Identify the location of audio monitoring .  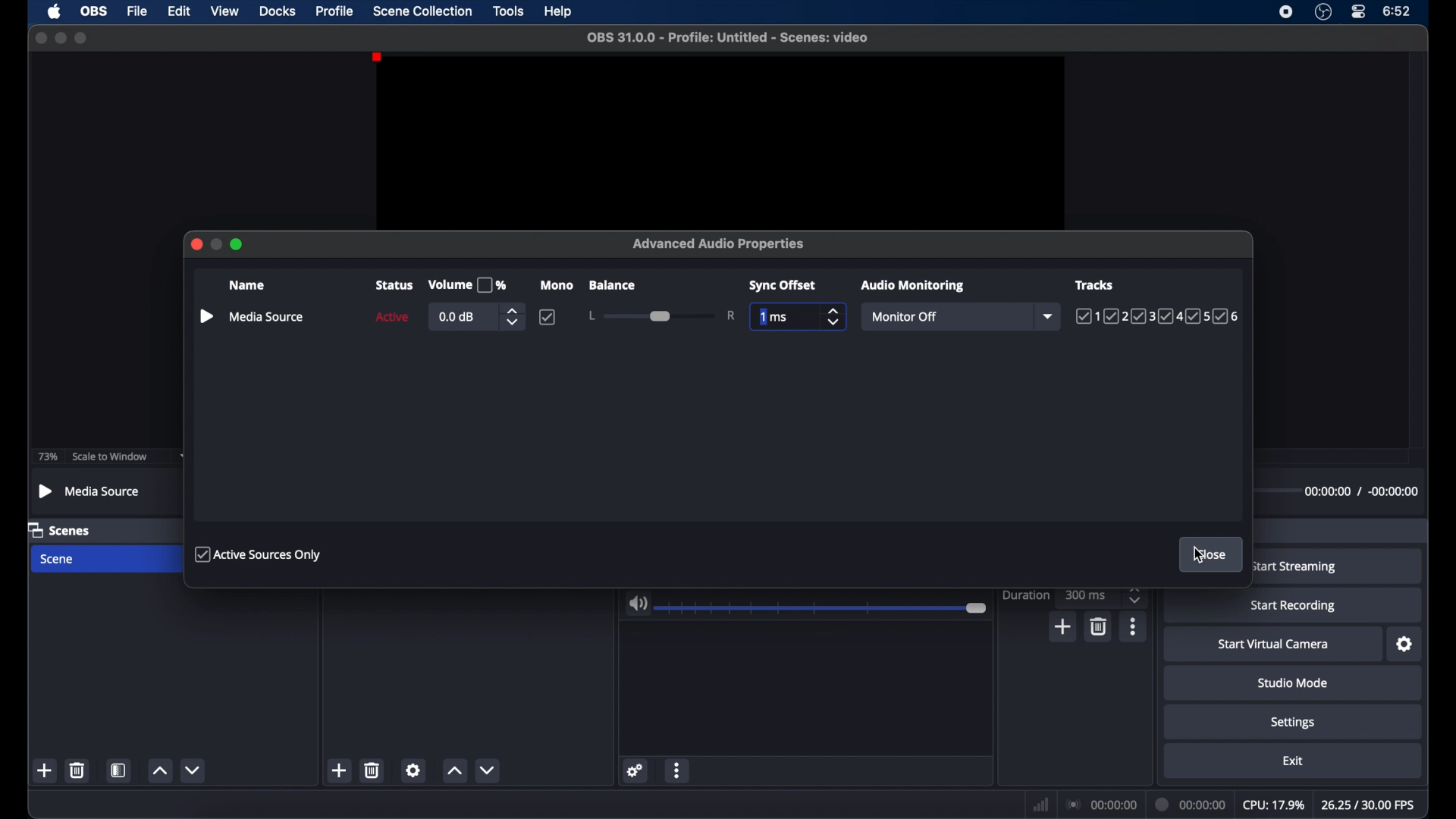
(915, 286).